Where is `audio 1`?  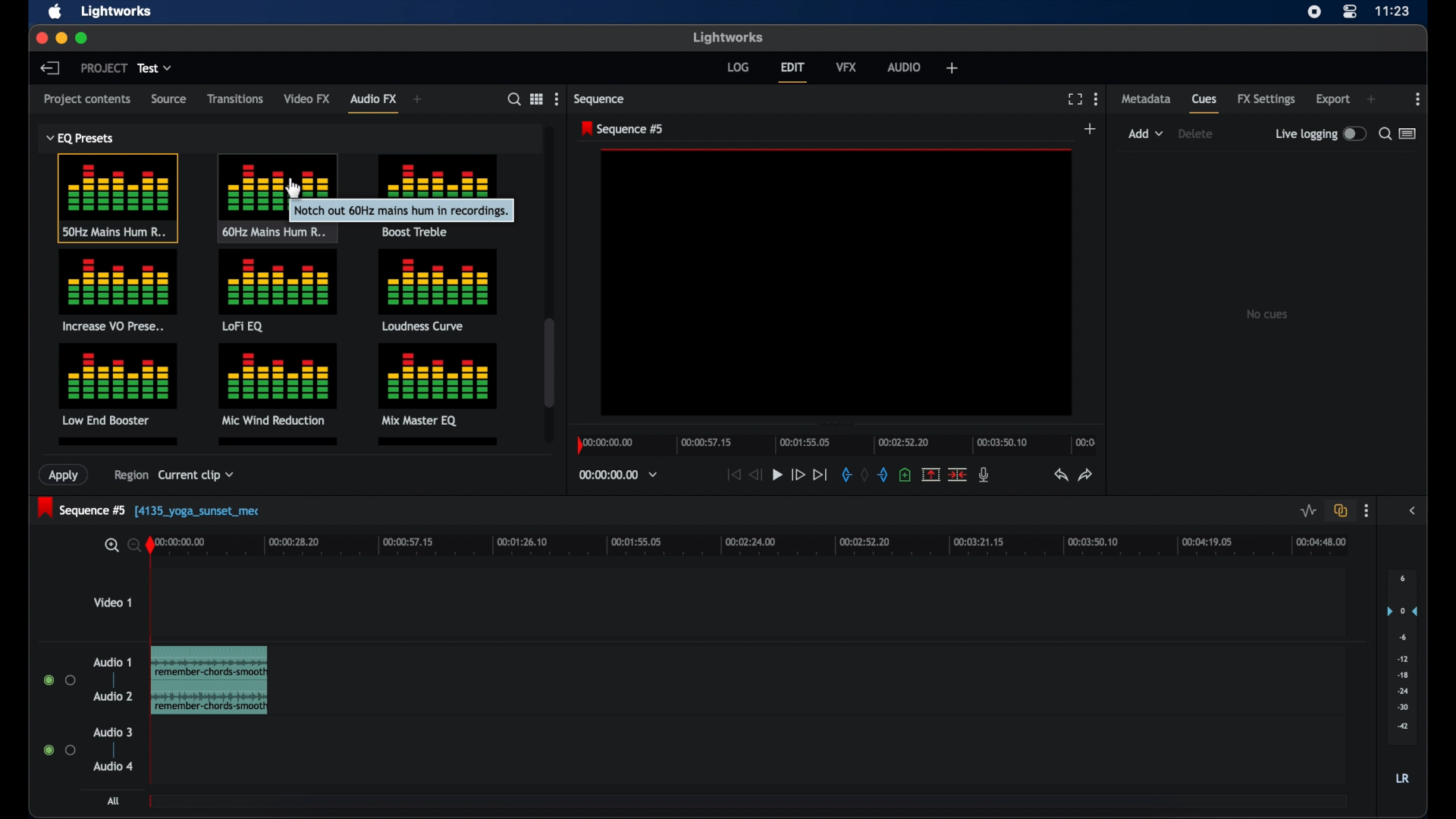
audio 1 is located at coordinates (112, 662).